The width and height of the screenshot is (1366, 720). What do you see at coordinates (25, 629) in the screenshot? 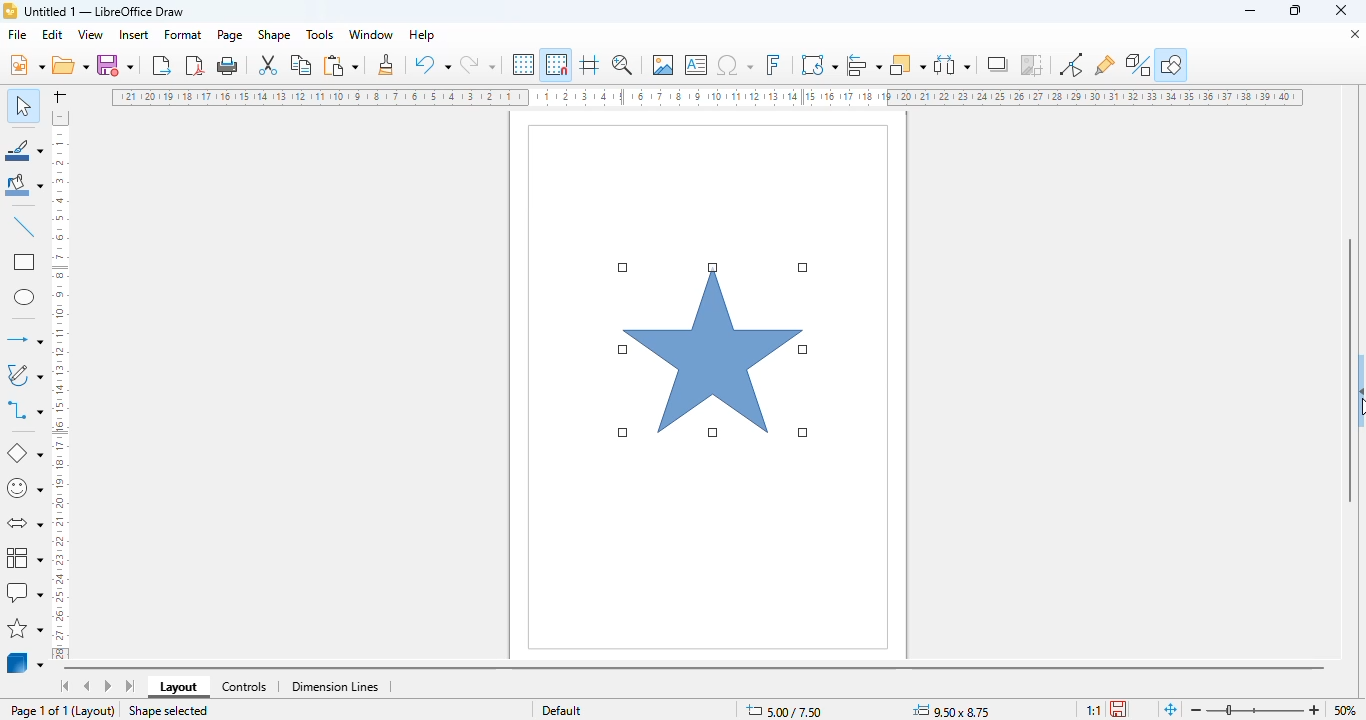
I see `stars and banners` at bounding box center [25, 629].